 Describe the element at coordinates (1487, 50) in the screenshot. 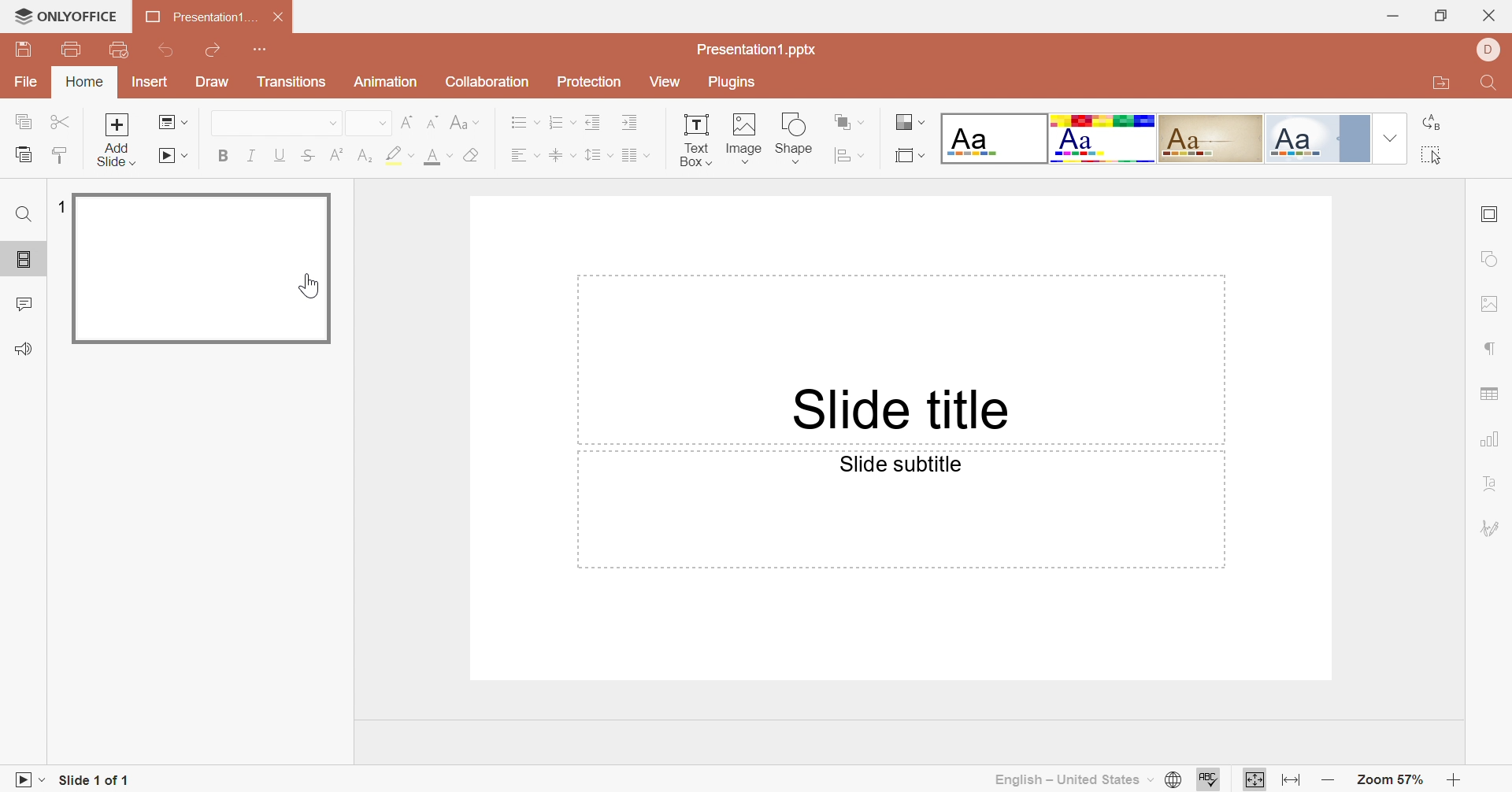

I see `DELL` at that location.